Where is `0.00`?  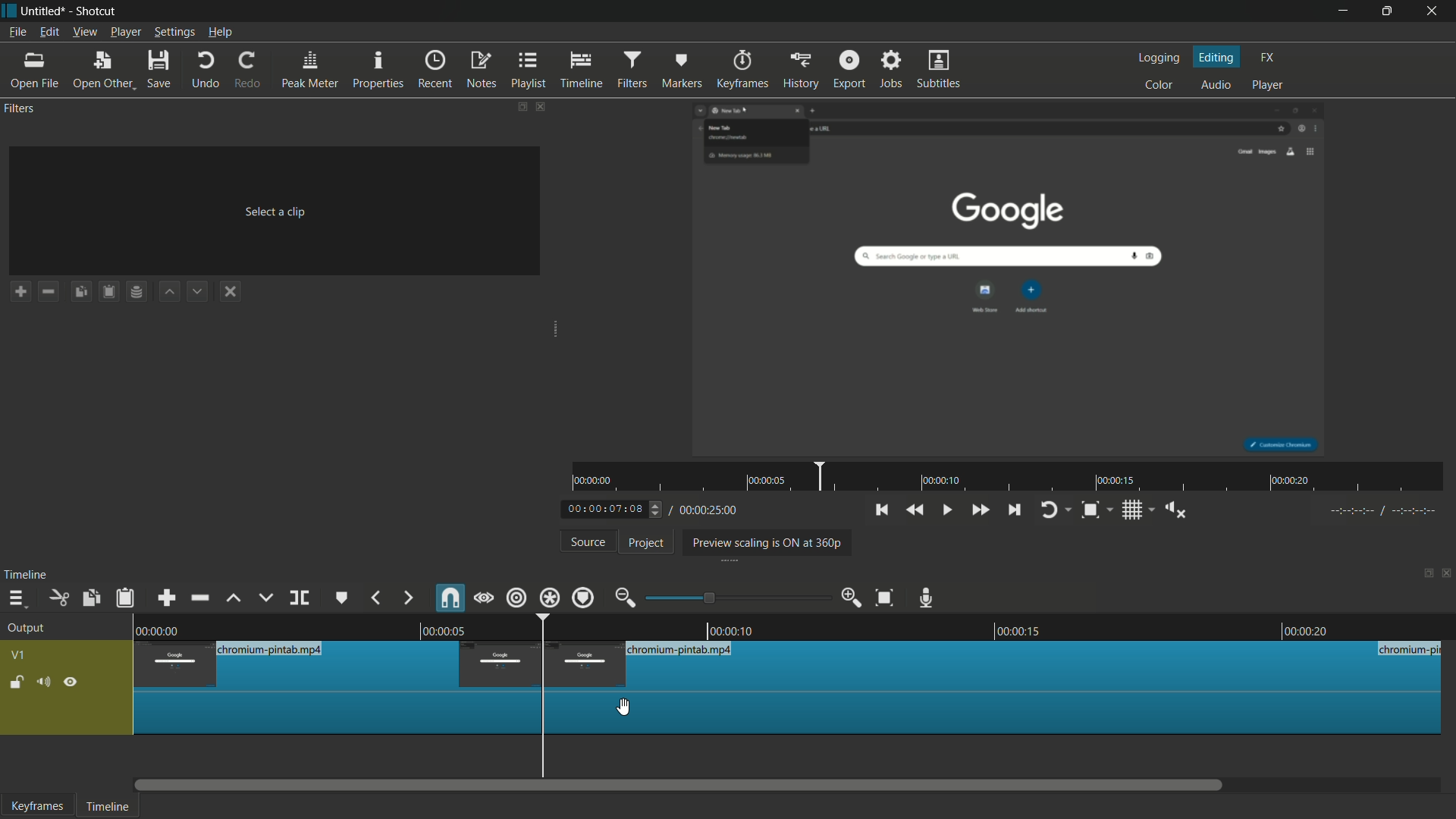
0.00 is located at coordinates (162, 629).